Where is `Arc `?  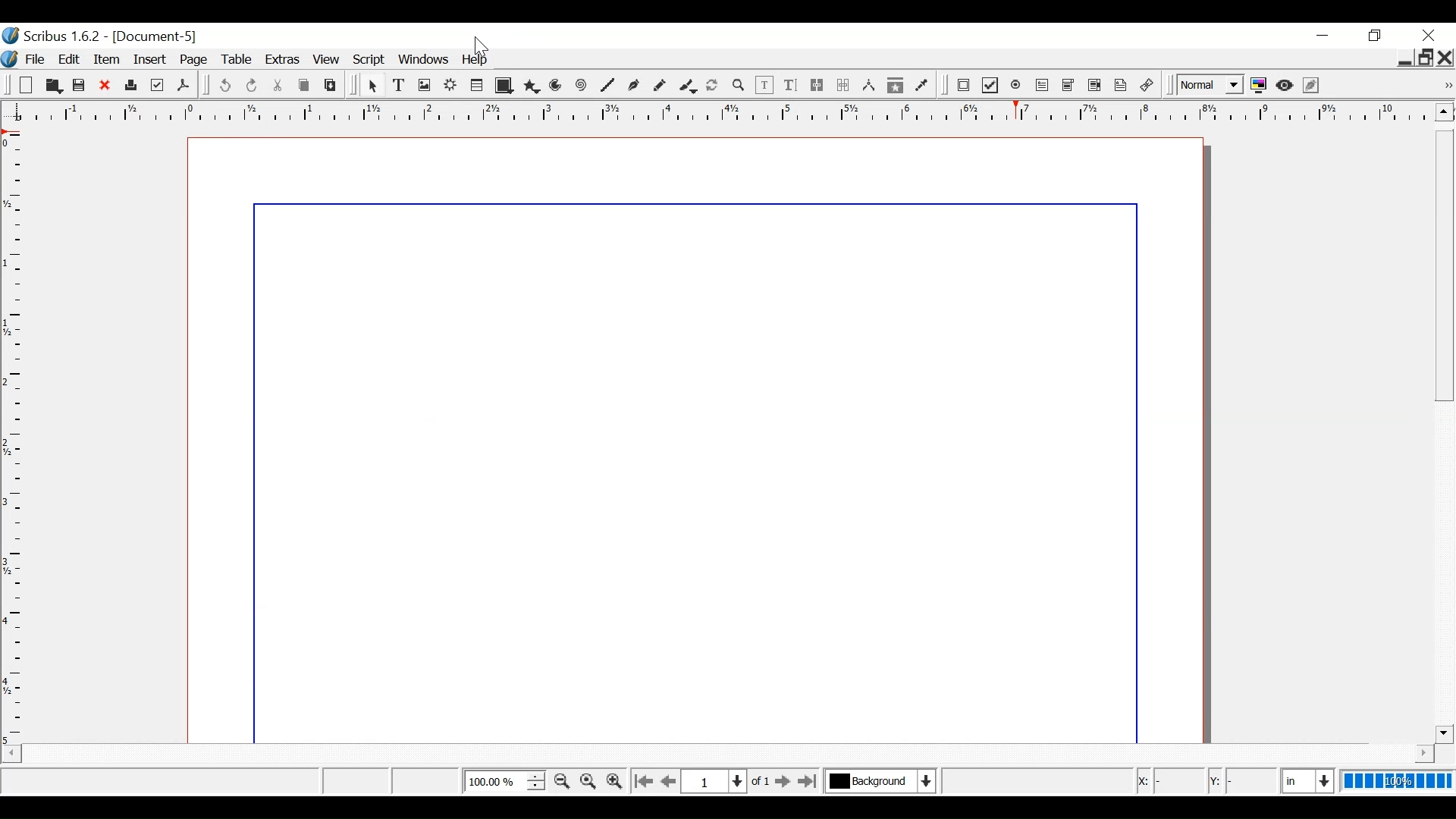 Arc  is located at coordinates (557, 86).